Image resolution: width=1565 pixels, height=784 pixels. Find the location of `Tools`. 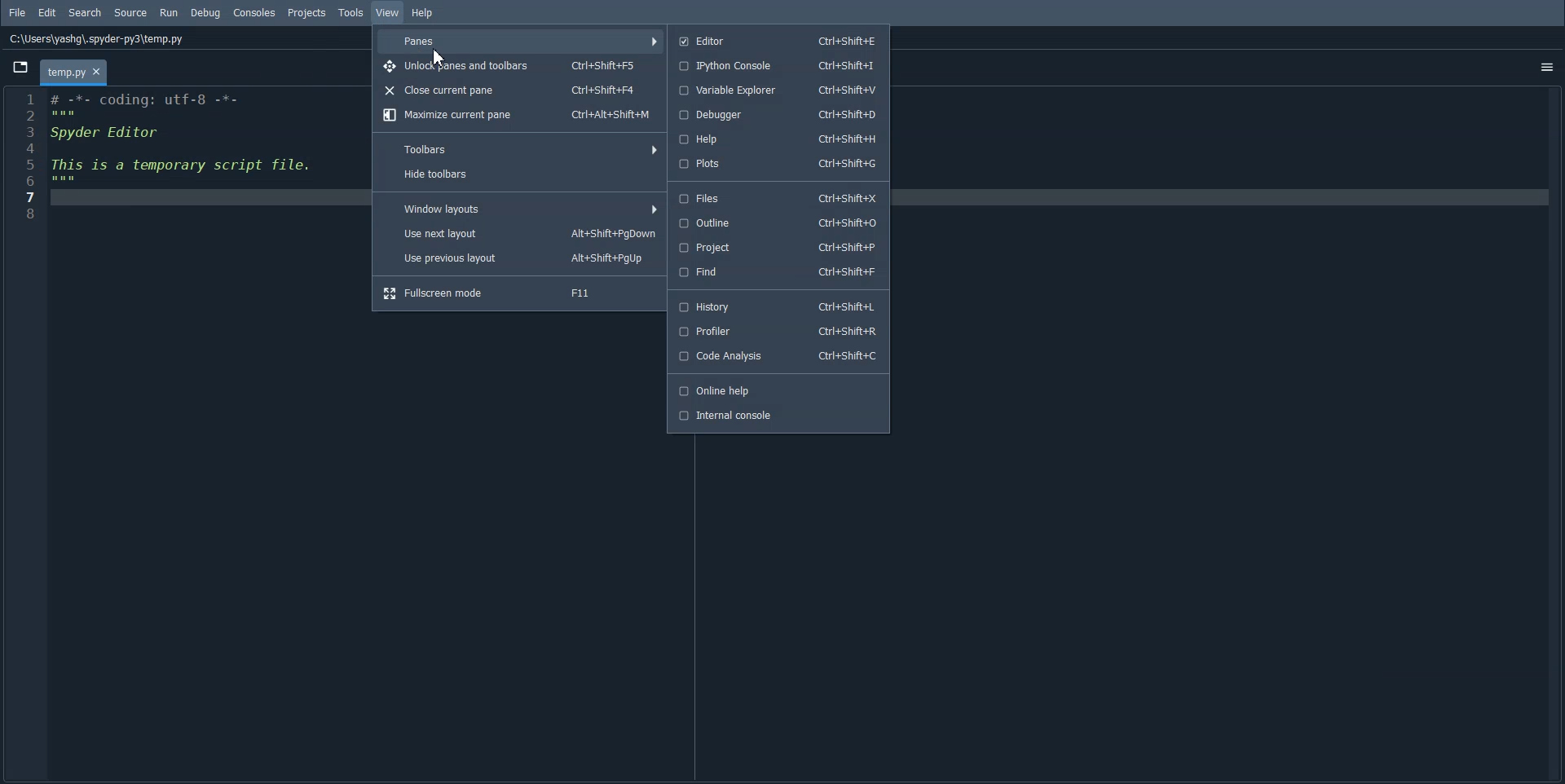

Tools is located at coordinates (351, 12).